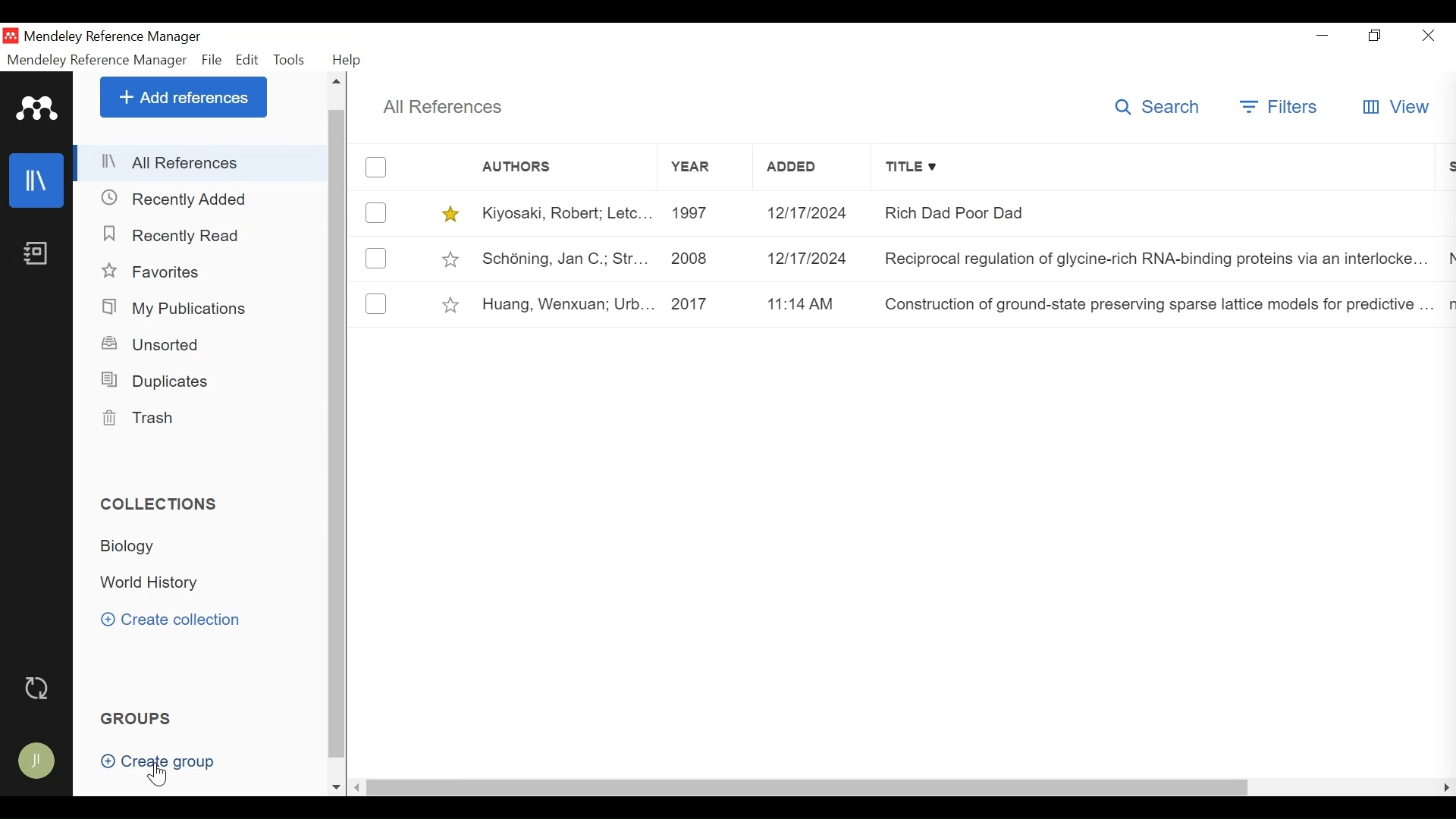  Describe the element at coordinates (1157, 303) in the screenshot. I see `Construction of ground-state preserving sparse lattice models for predictive..` at that location.